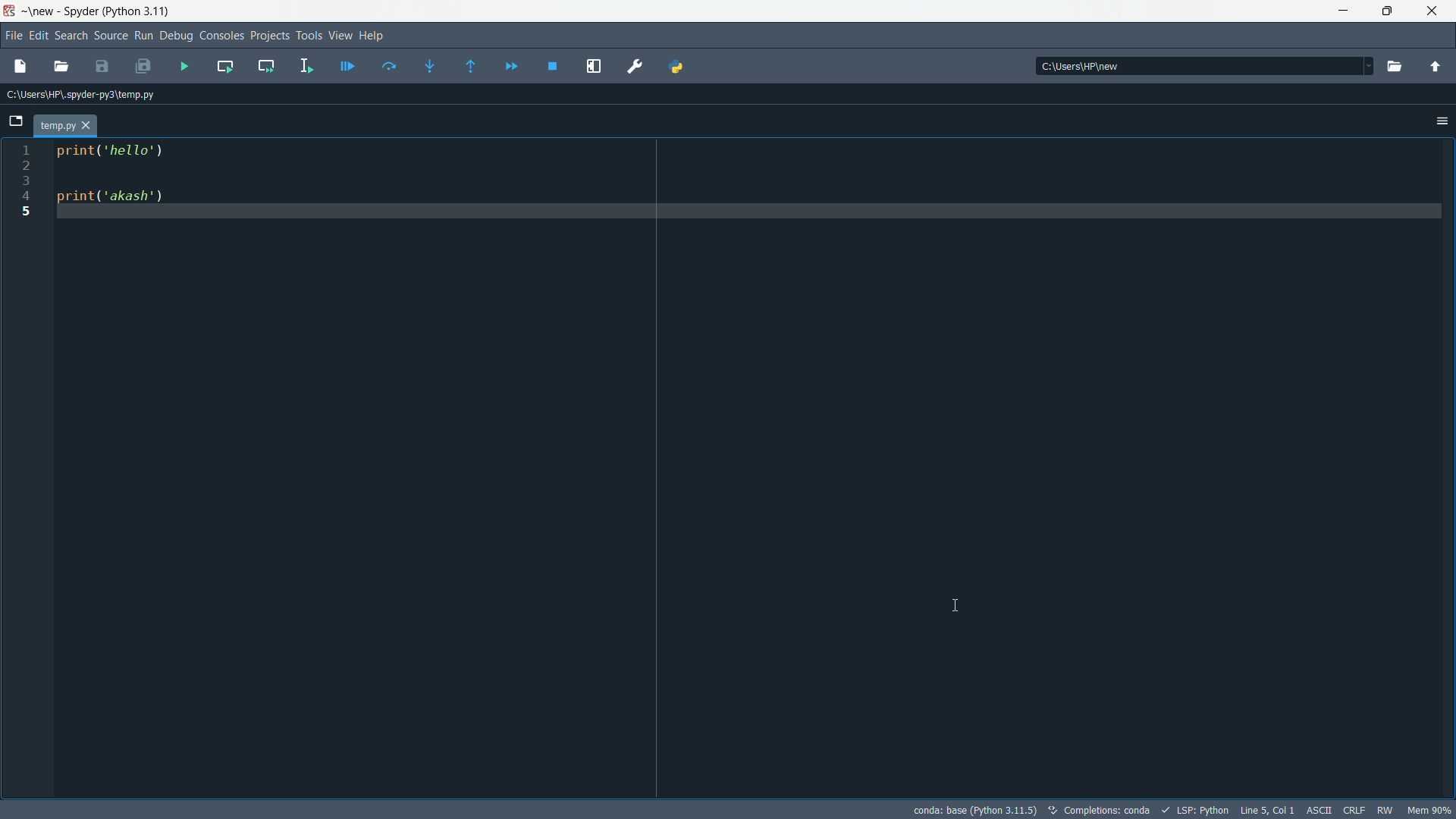 The height and width of the screenshot is (819, 1456). I want to click on memory usage, so click(1430, 810).